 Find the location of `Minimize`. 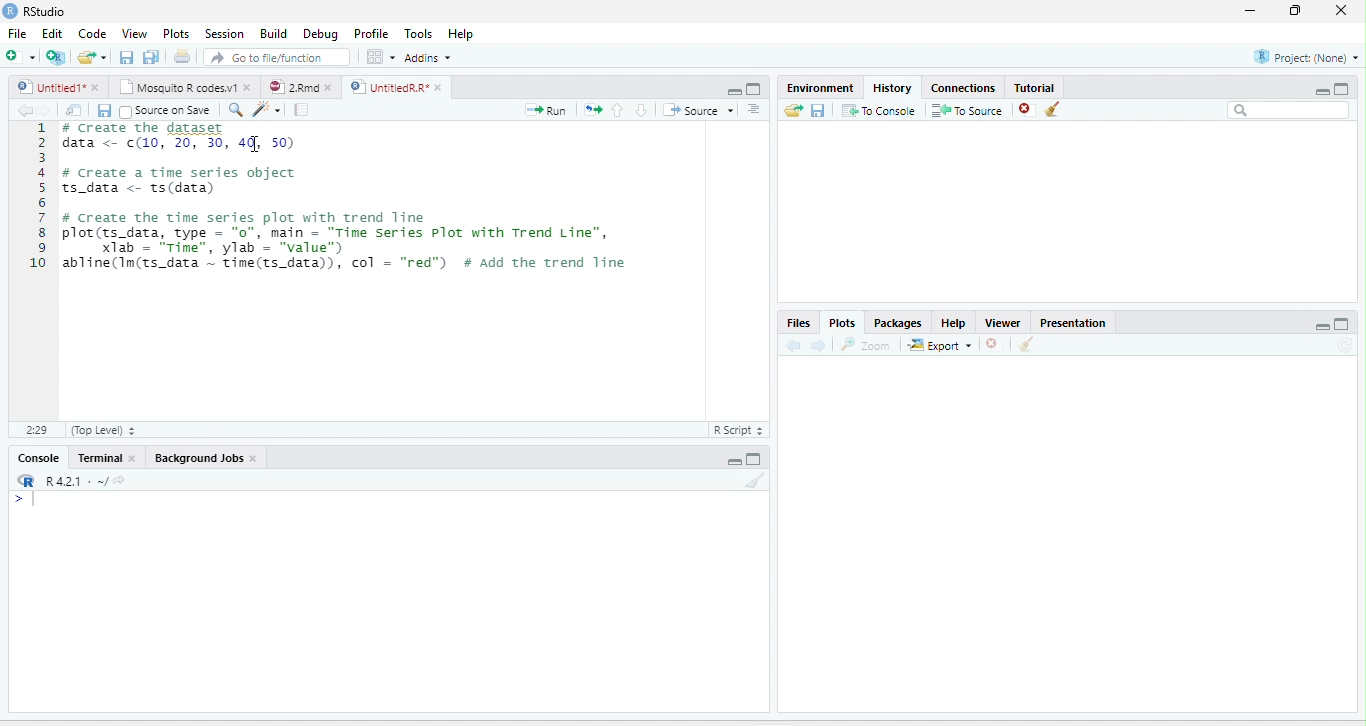

Minimize is located at coordinates (732, 462).